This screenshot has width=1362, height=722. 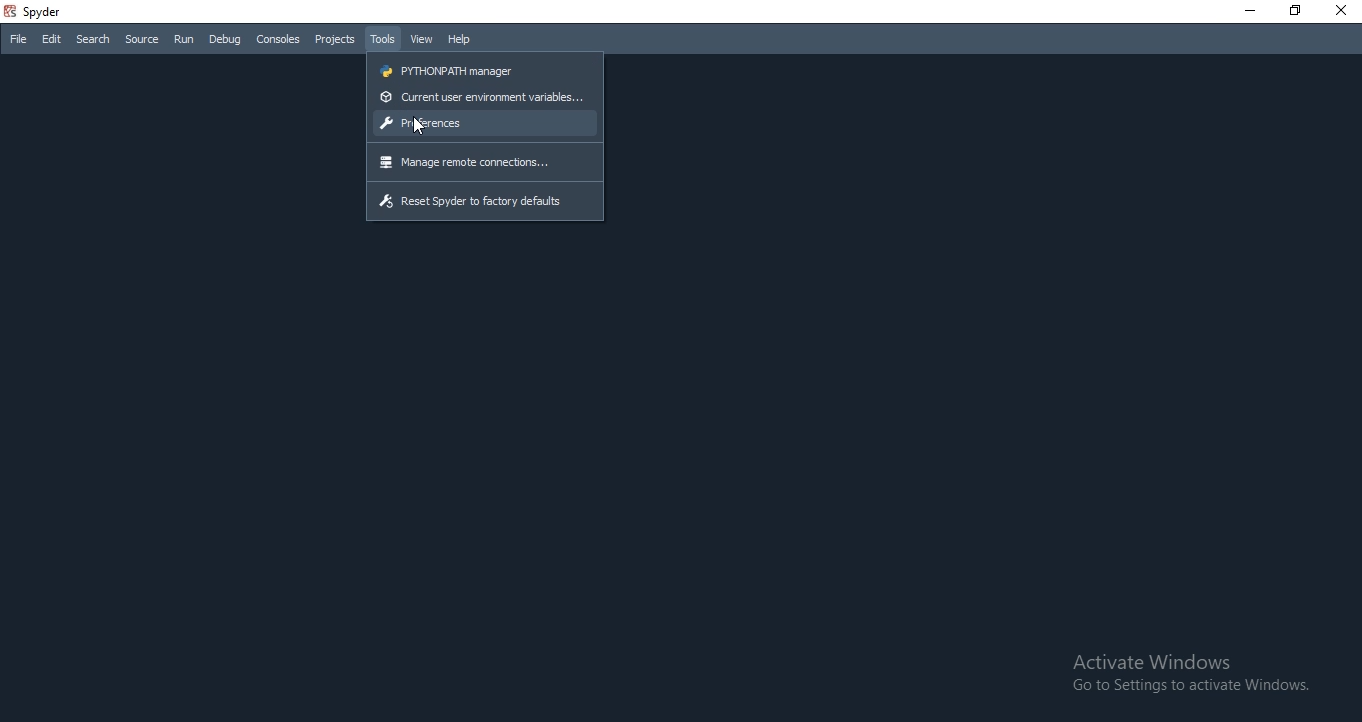 What do you see at coordinates (384, 38) in the screenshot?
I see `tools` at bounding box center [384, 38].